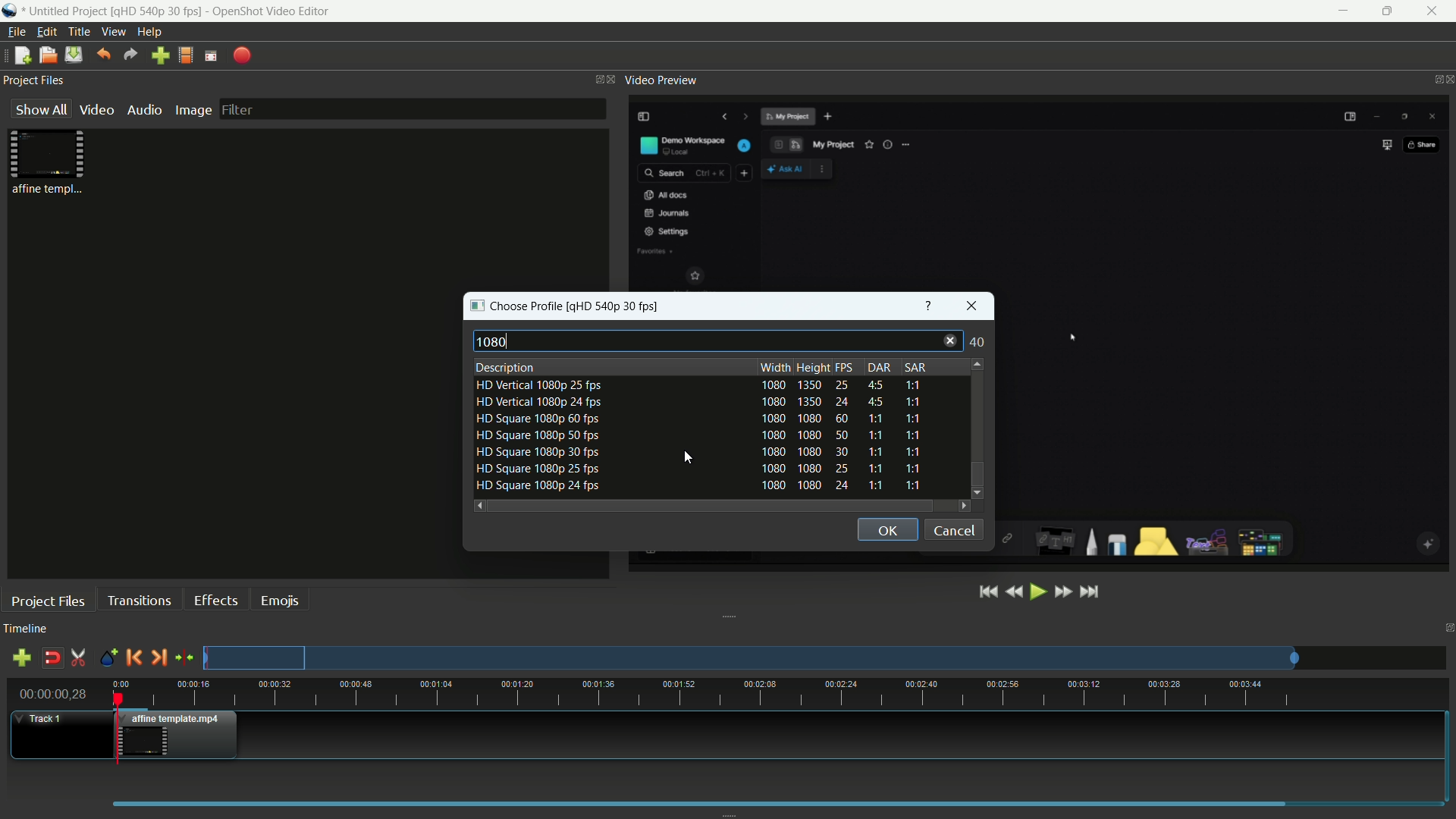  I want to click on profile, so click(617, 306).